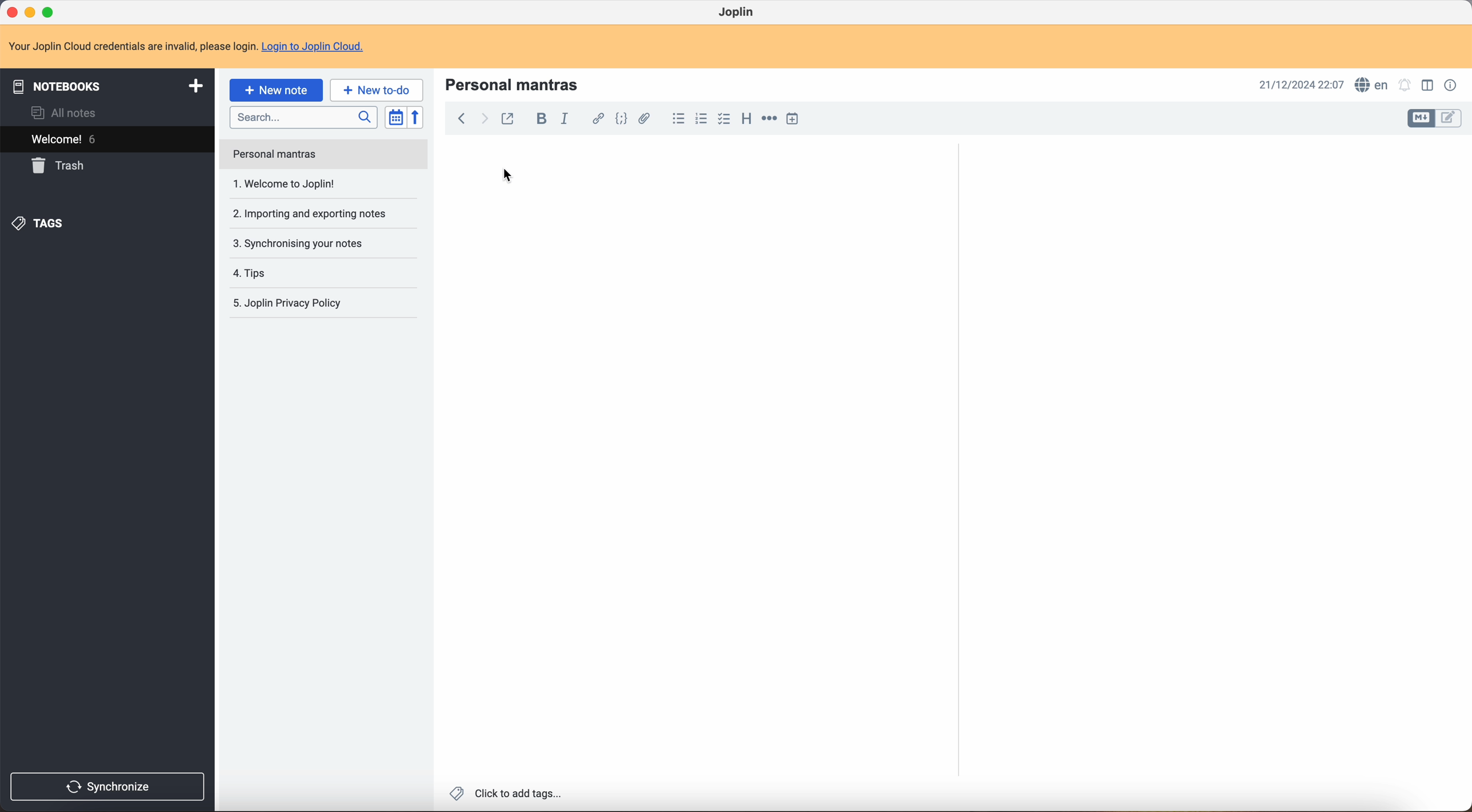  I want to click on body text, so click(690, 461).